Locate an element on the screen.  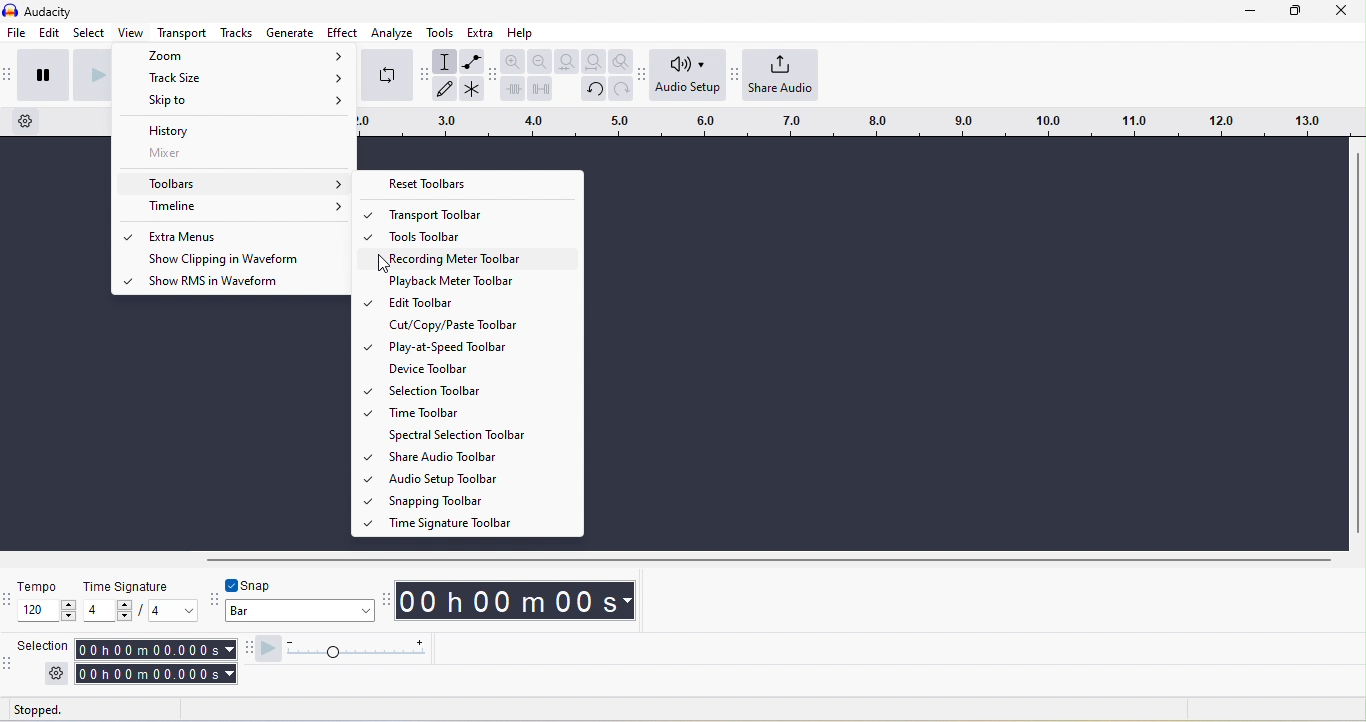
play at speed toolbar is located at coordinates (246, 649).